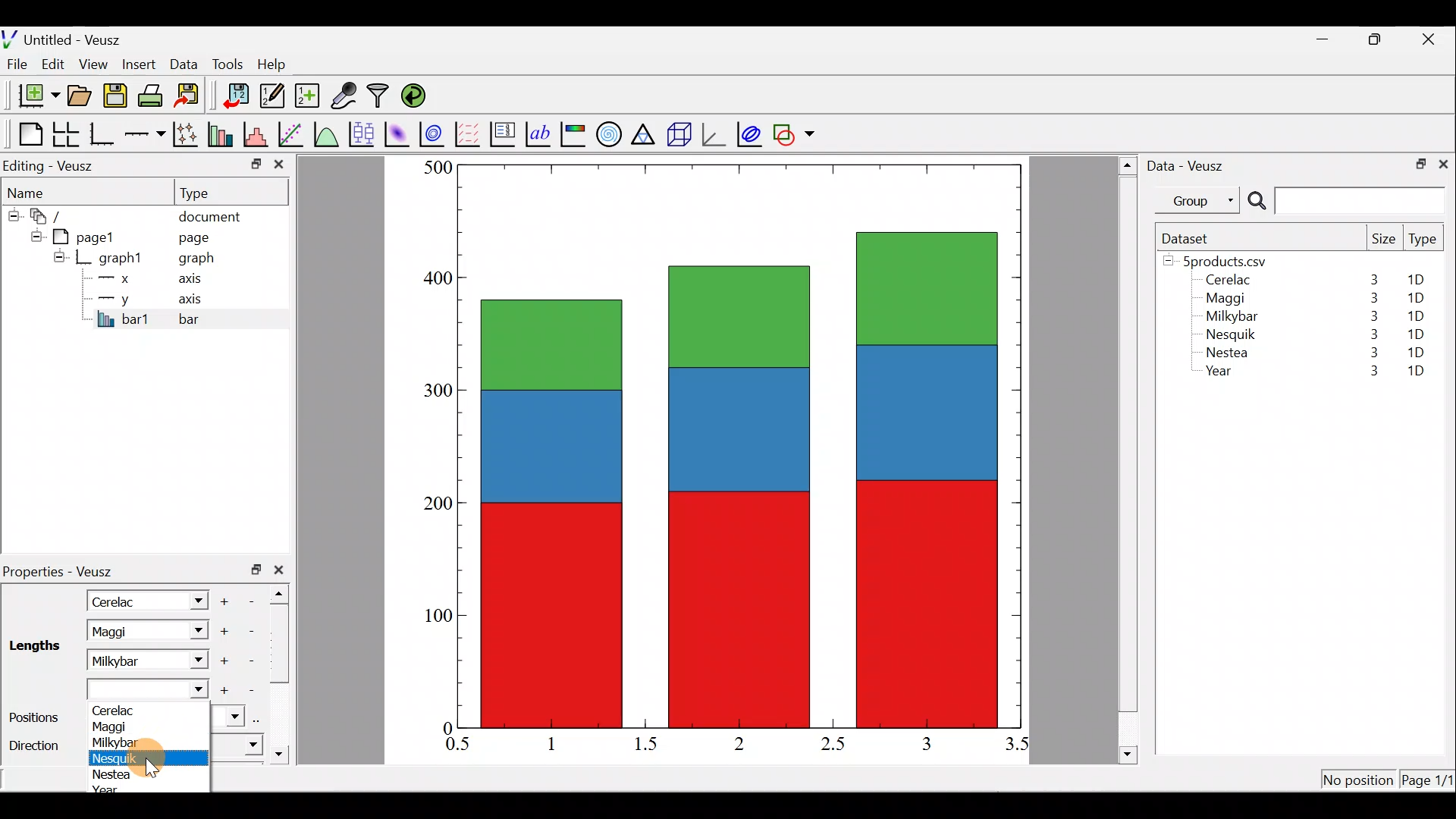  Describe the element at coordinates (714, 133) in the screenshot. I see `3d graph` at that location.